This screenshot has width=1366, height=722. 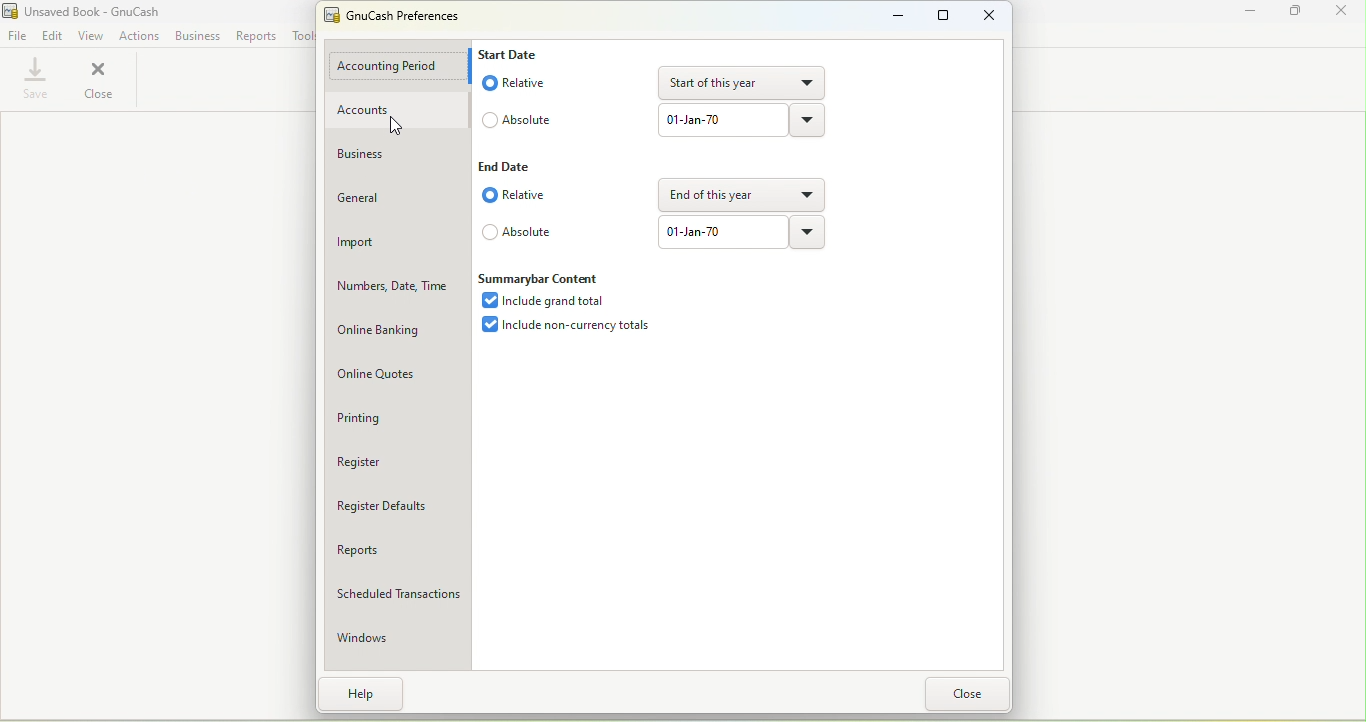 What do you see at coordinates (397, 597) in the screenshot?
I see `Scheduled transactions` at bounding box center [397, 597].